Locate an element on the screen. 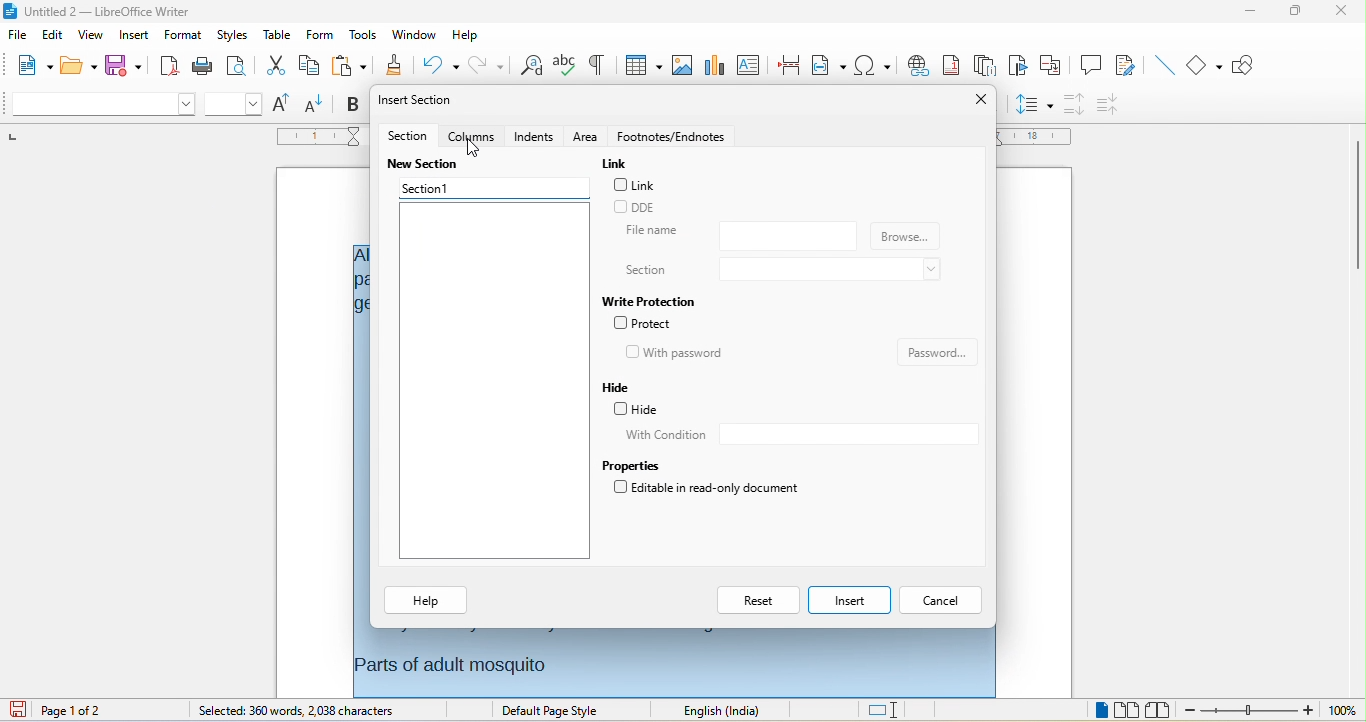 This screenshot has height=722, width=1366. single page view is located at coordinates (1102, 710).